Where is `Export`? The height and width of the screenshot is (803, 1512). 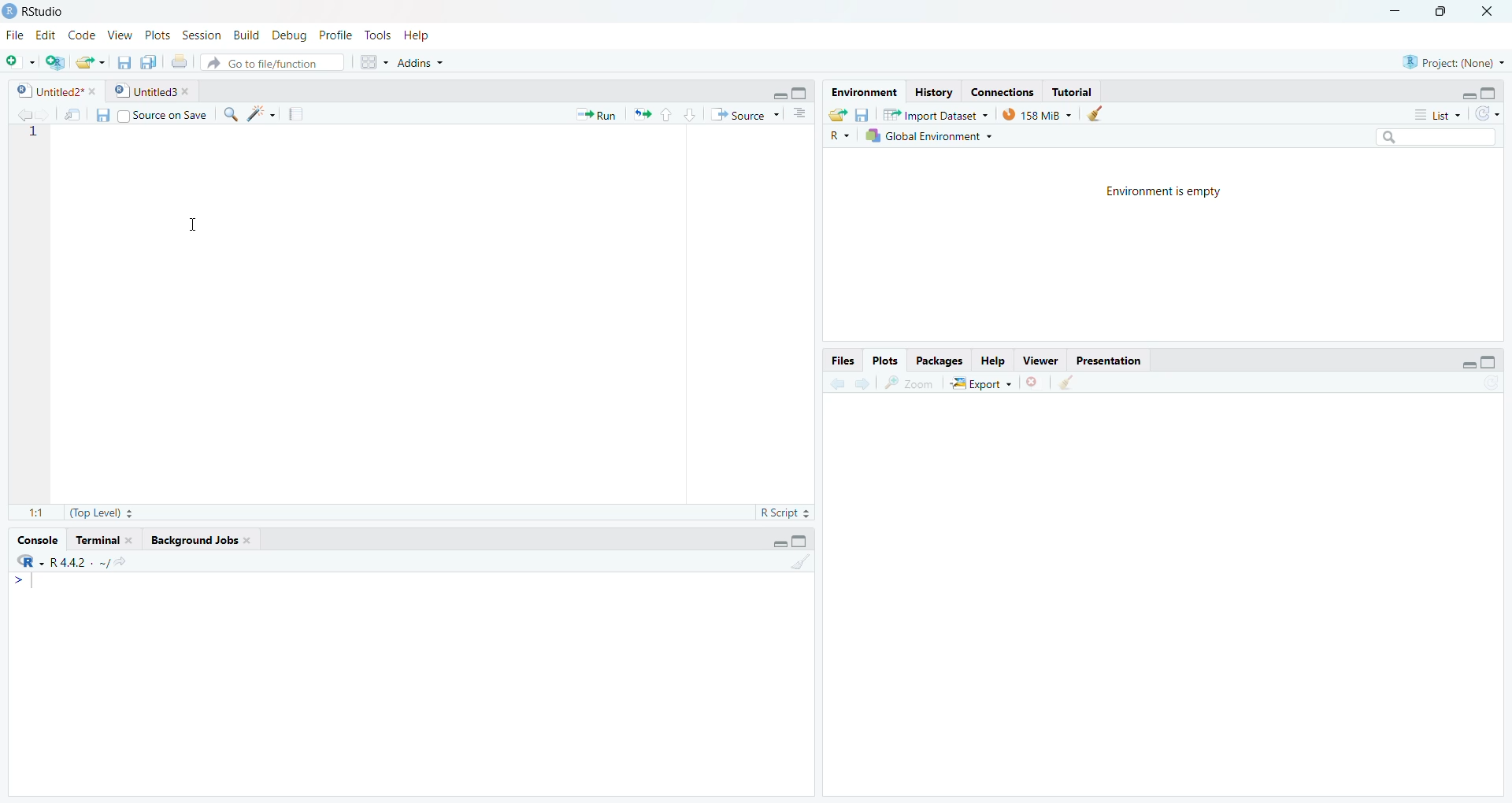 Export is located at coordinates (984, 381).